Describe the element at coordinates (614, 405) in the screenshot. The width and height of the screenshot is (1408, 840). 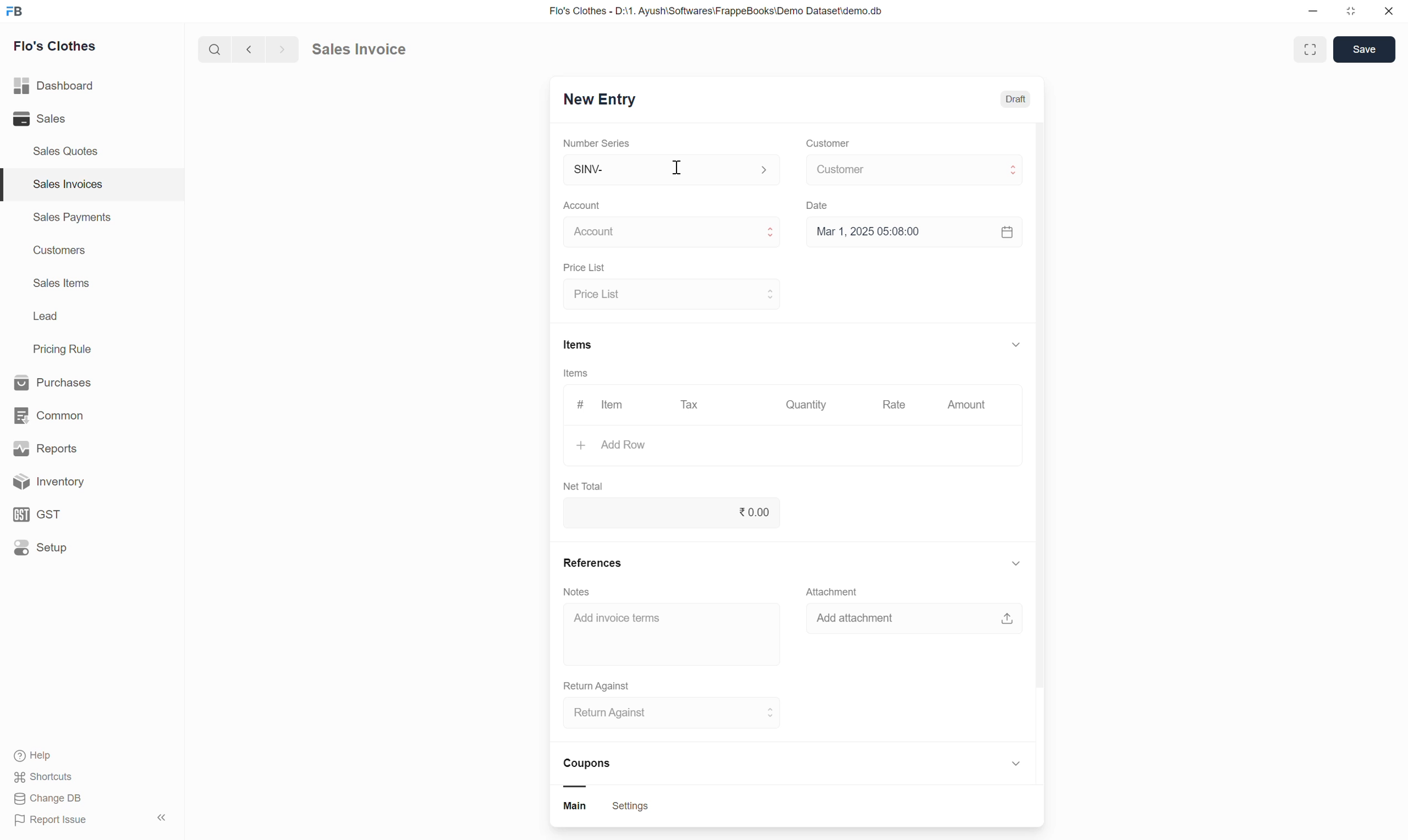
I see `Item` at that location.